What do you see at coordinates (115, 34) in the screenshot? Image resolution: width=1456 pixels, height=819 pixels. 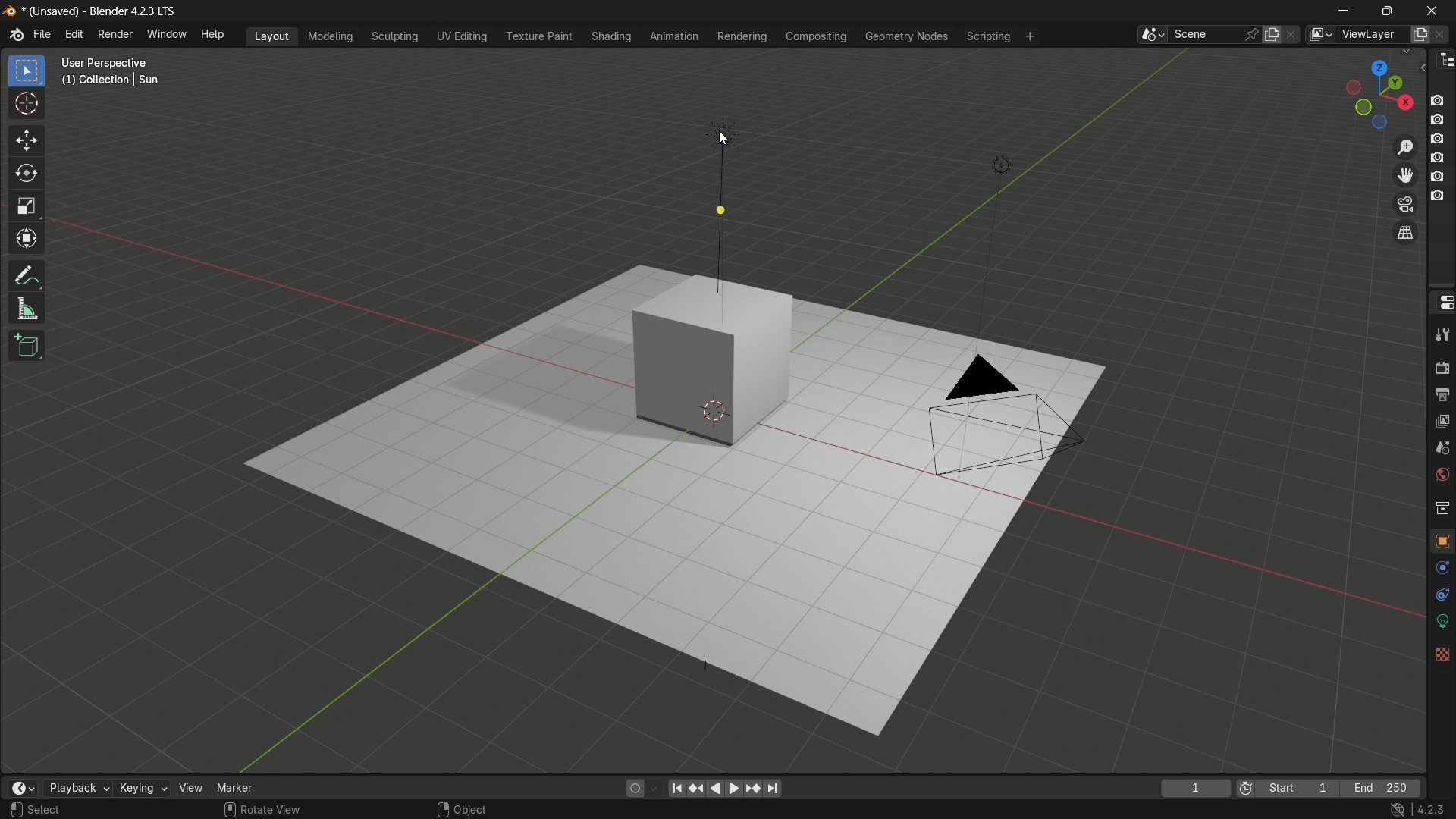 I see `render` at bounding box center [115, 34].